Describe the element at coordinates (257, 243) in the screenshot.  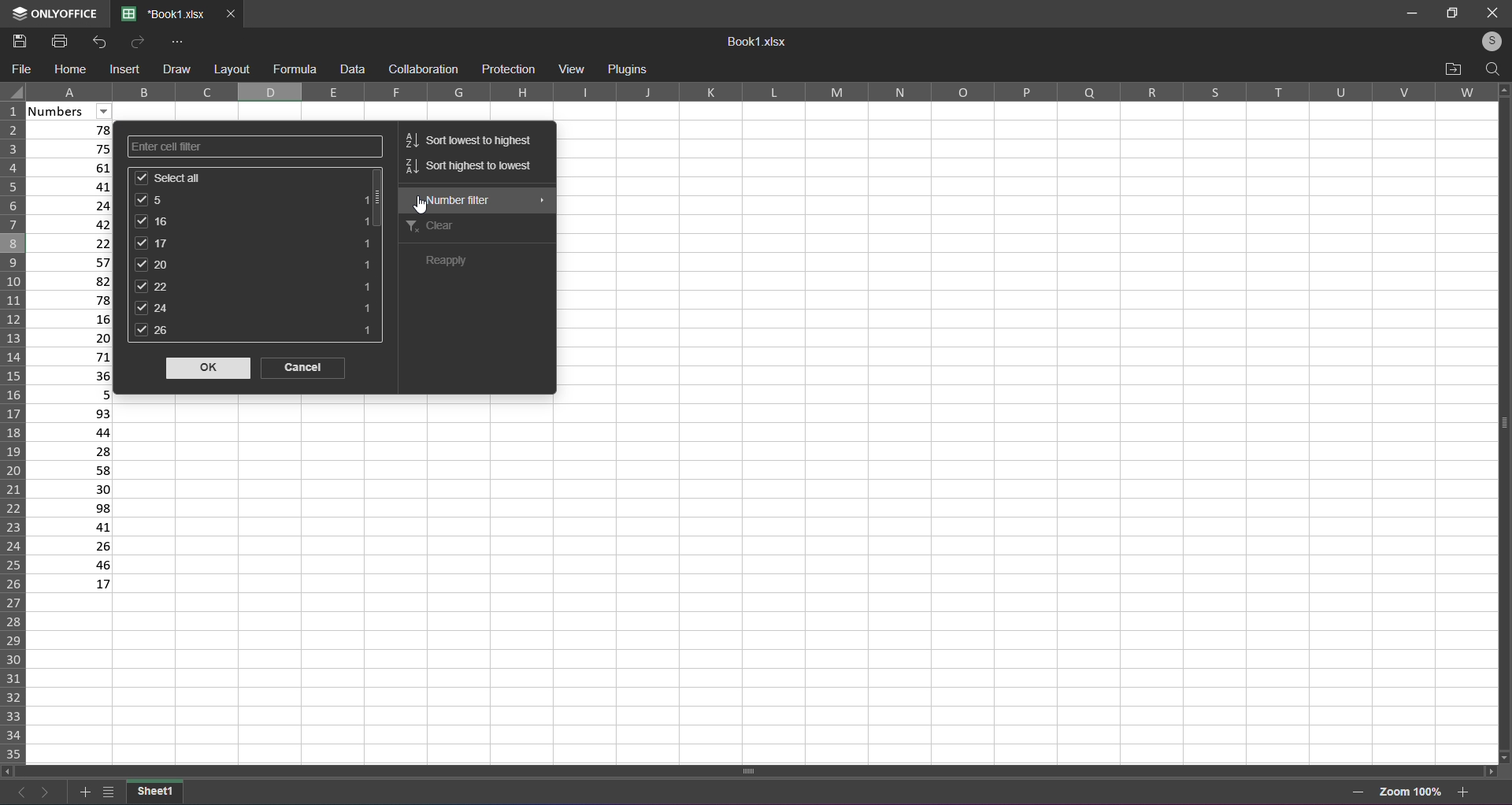
I see `17` at that location.